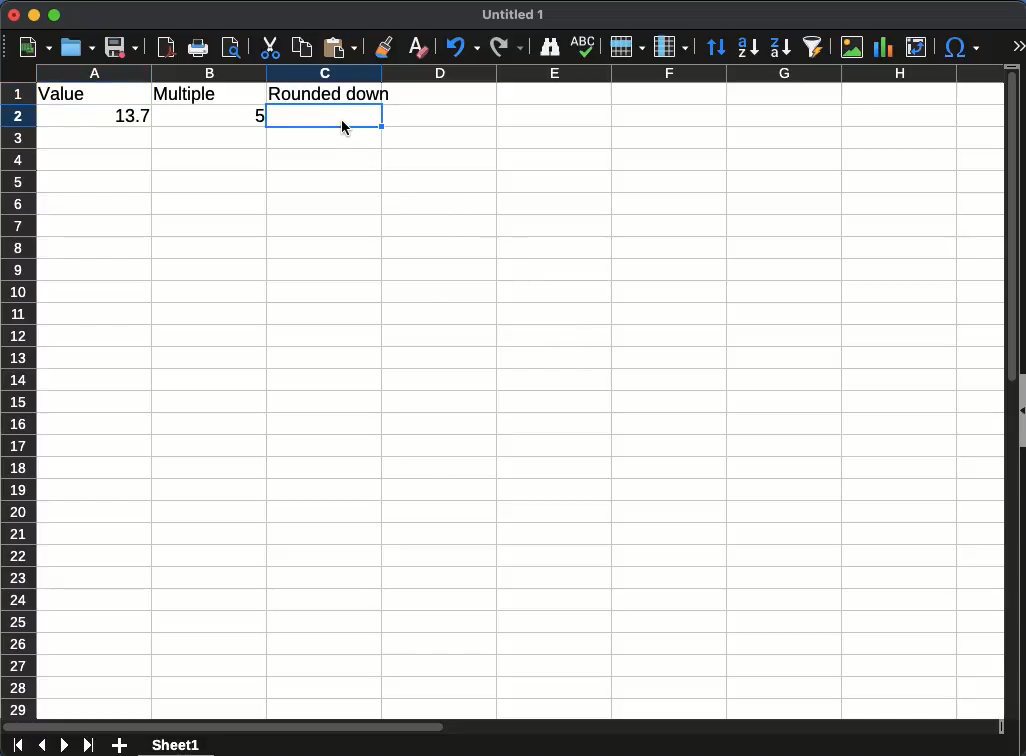 The image size is (1026, 756). Describe the element at coordinates (585, 46) in the screenshot. I see `spell check` at that location.